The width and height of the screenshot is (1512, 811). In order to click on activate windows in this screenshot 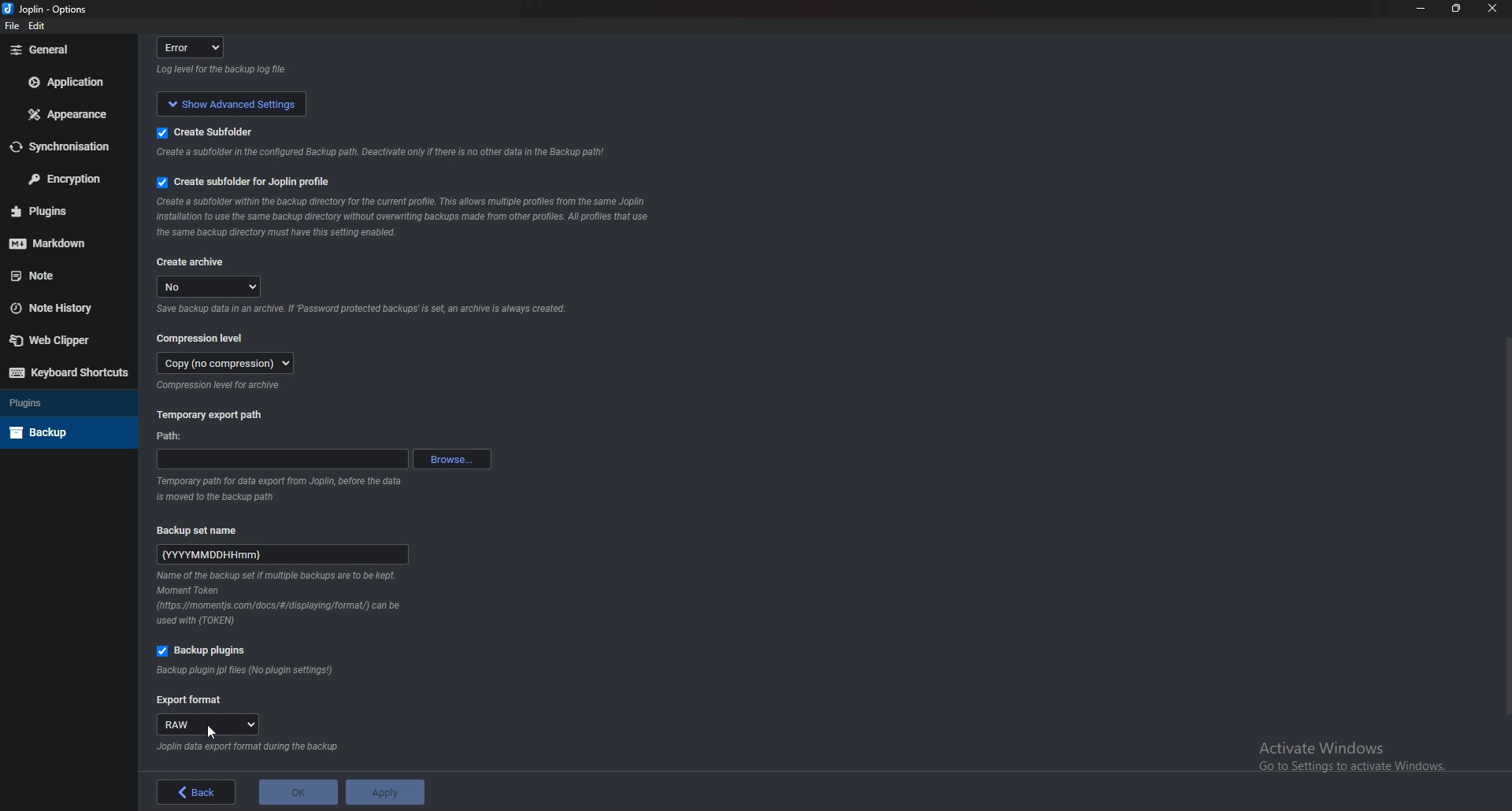, I will do `click(1360, 753)`.